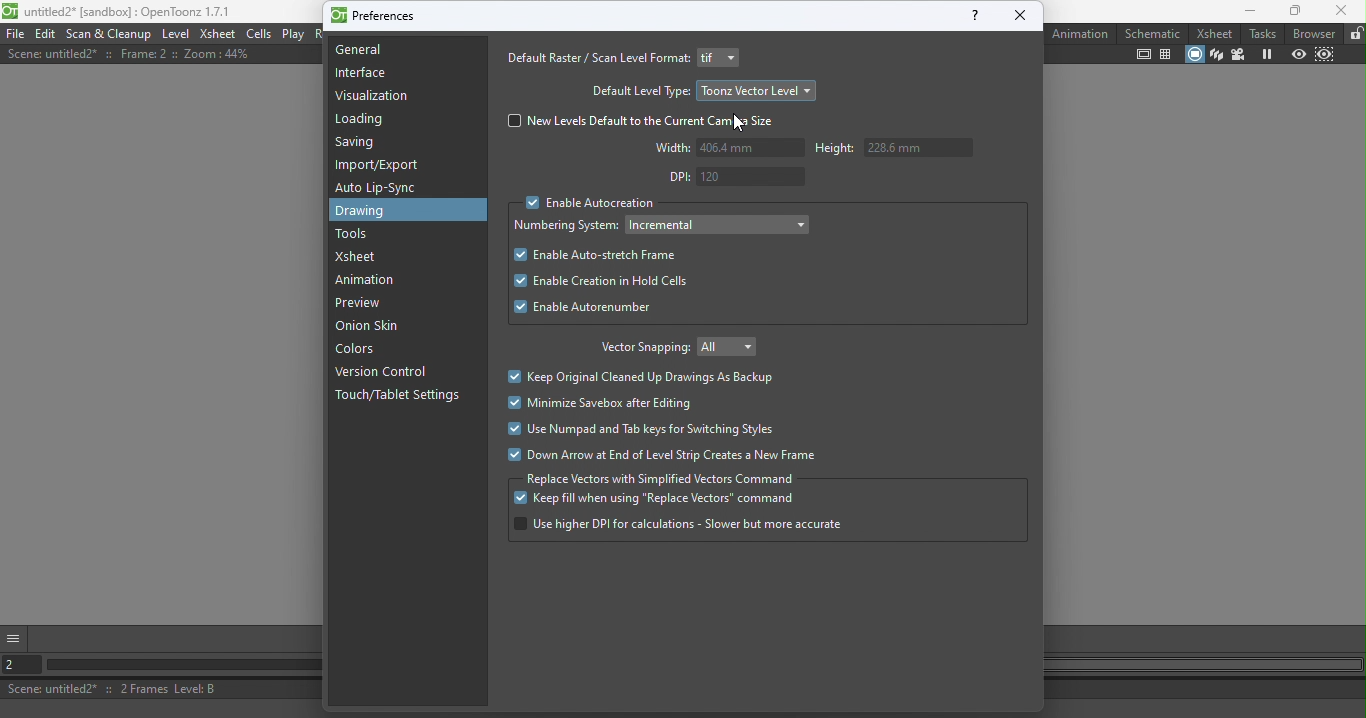 The height and width of the screenshot is (718, 1366). Describe the element at coordinates (1166, 55) in the screenshot. I see `Field guide` at that location.